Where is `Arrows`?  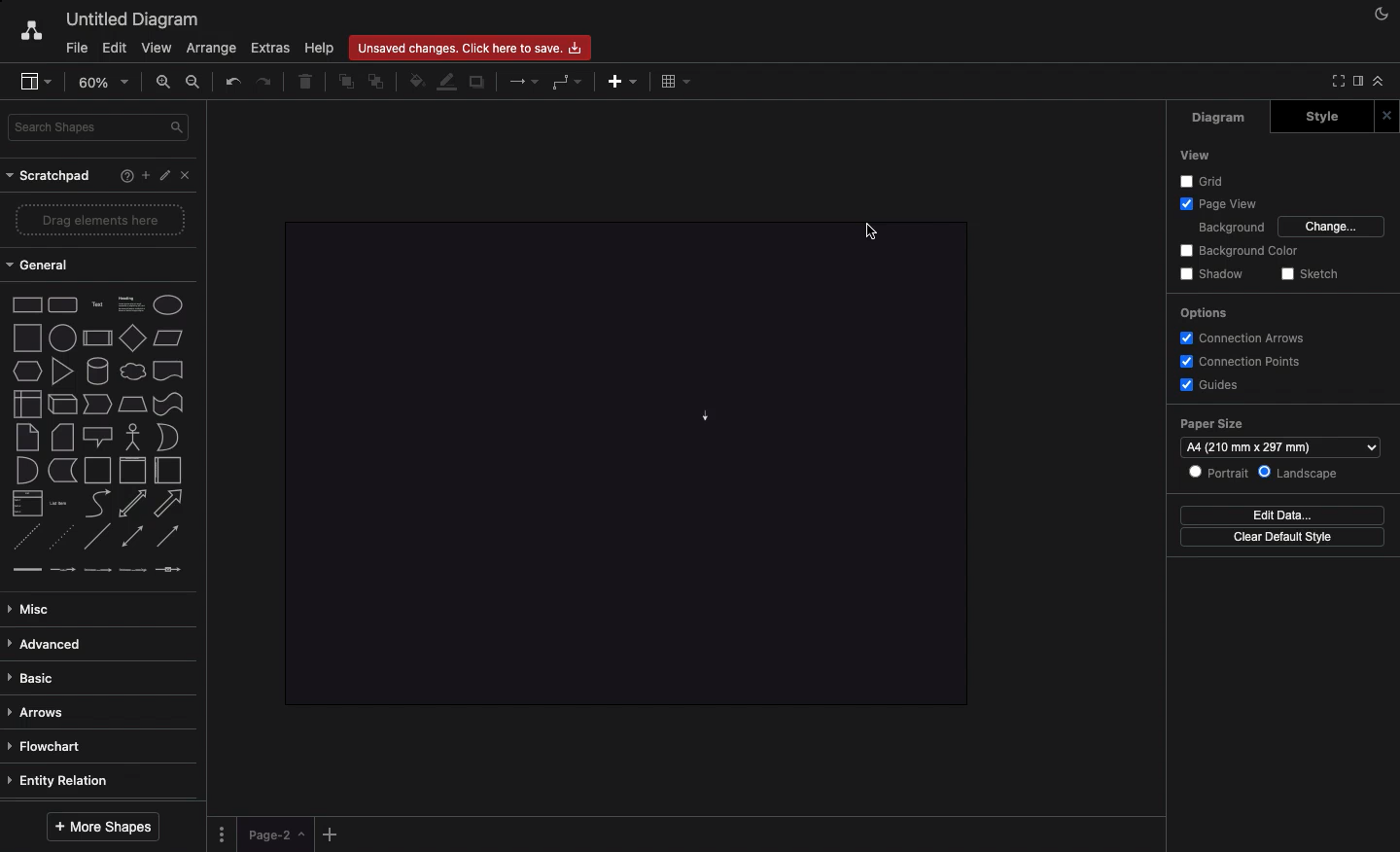
Arrows is located at coordinates (525, 80).